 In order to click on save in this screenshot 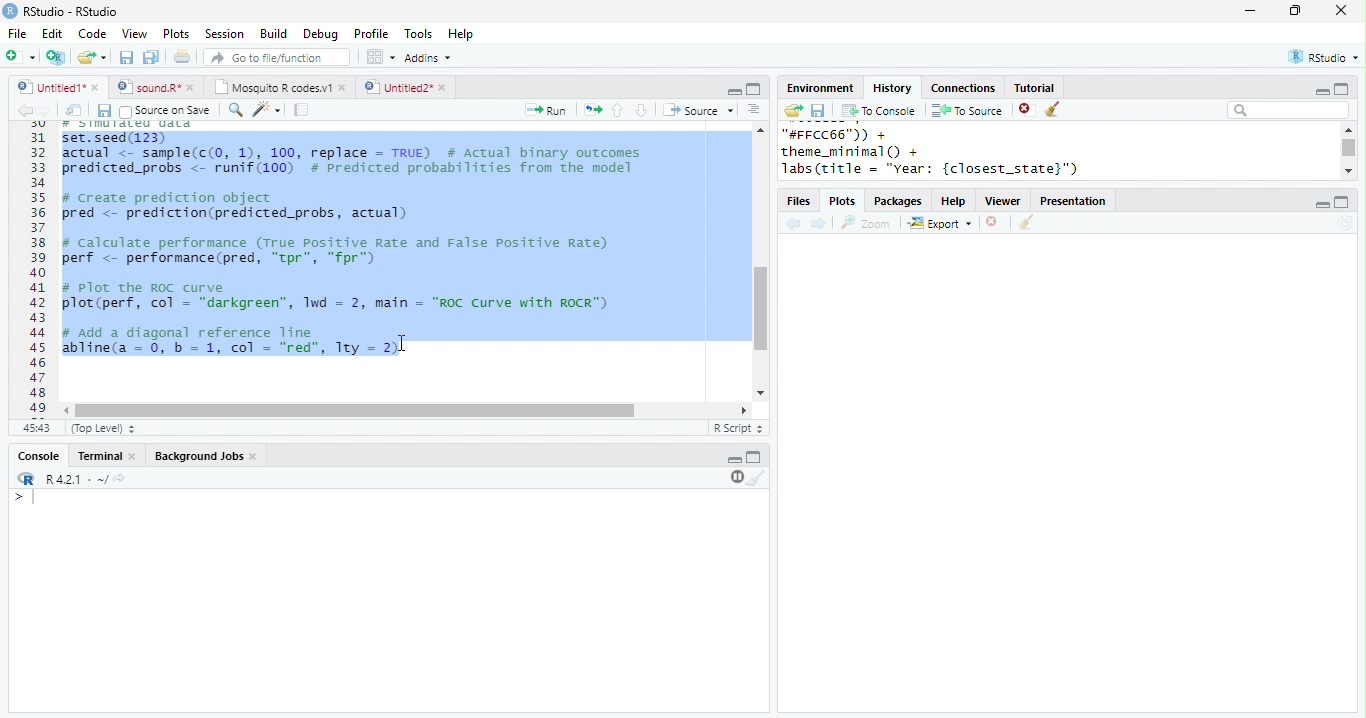, I will do `click(818, 111)`.